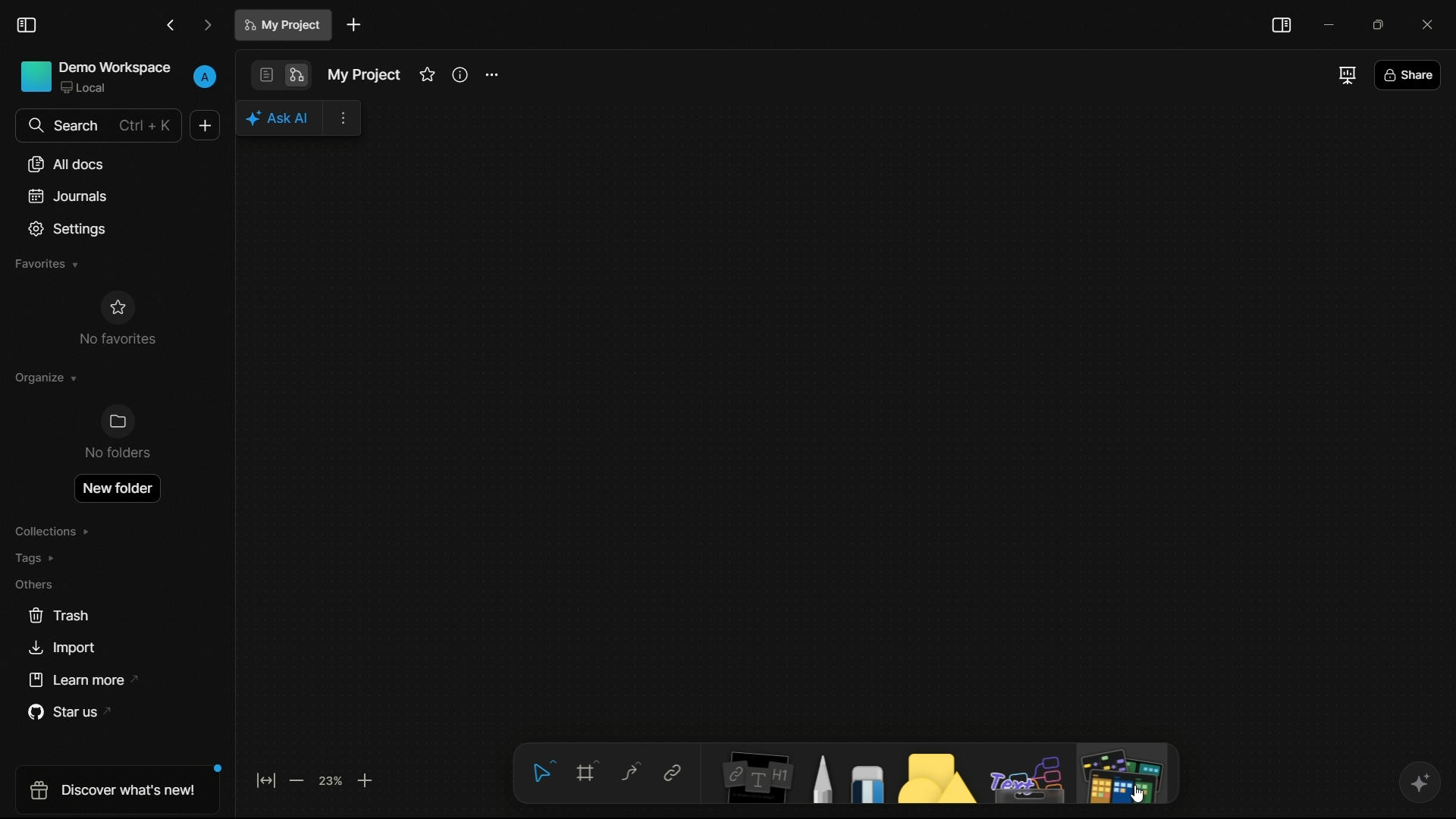 The width and height of the screenshot is (1456, 819). What do you see at coordinates (934, 777) in the screenshot?
I see `shapes` at bounding box center [934, 777].